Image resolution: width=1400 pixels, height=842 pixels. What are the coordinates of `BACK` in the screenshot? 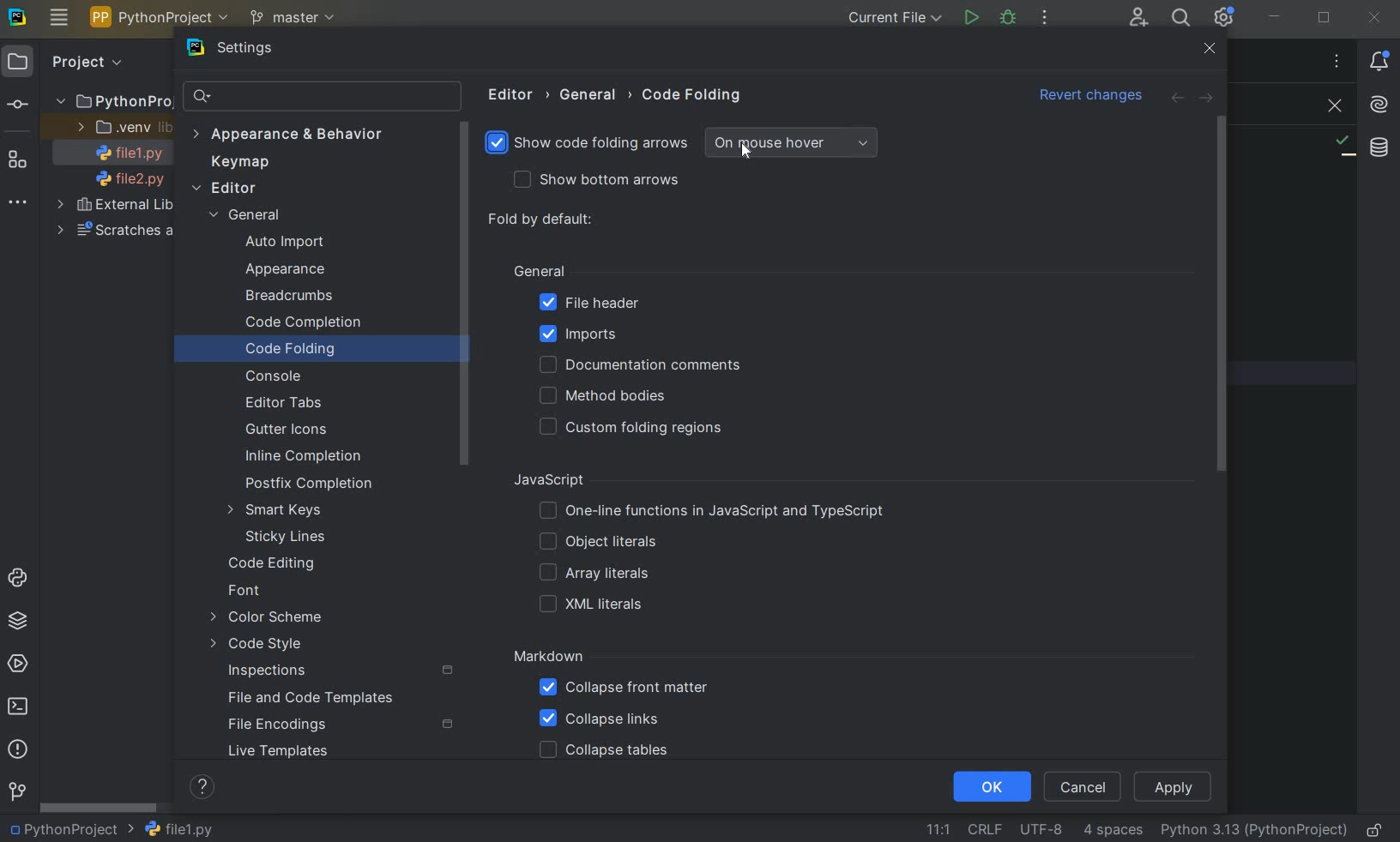 It's located at (1176, 99).